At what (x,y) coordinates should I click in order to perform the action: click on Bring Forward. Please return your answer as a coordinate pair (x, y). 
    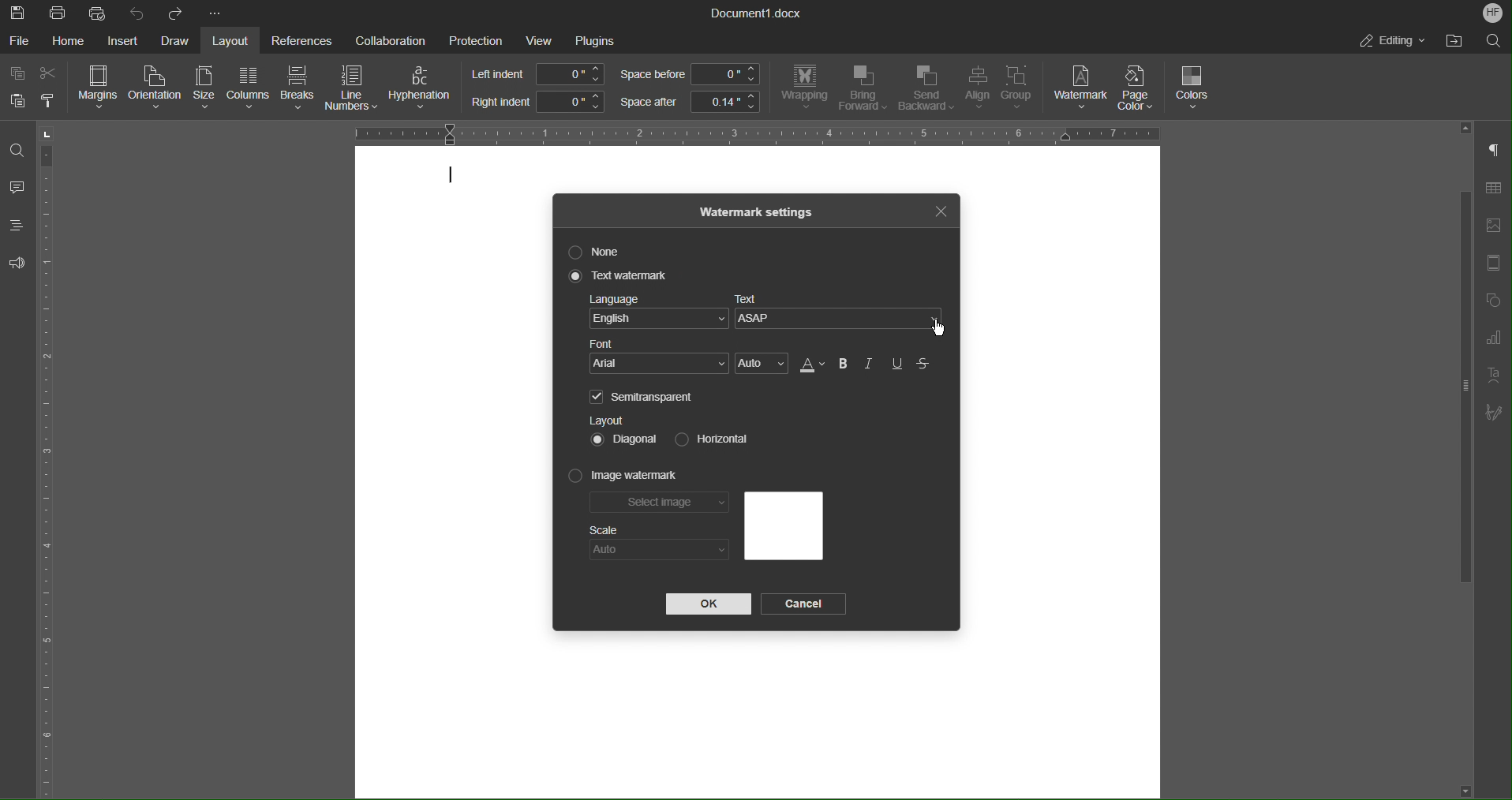
    Looking at the image, I should click on (863, 88).